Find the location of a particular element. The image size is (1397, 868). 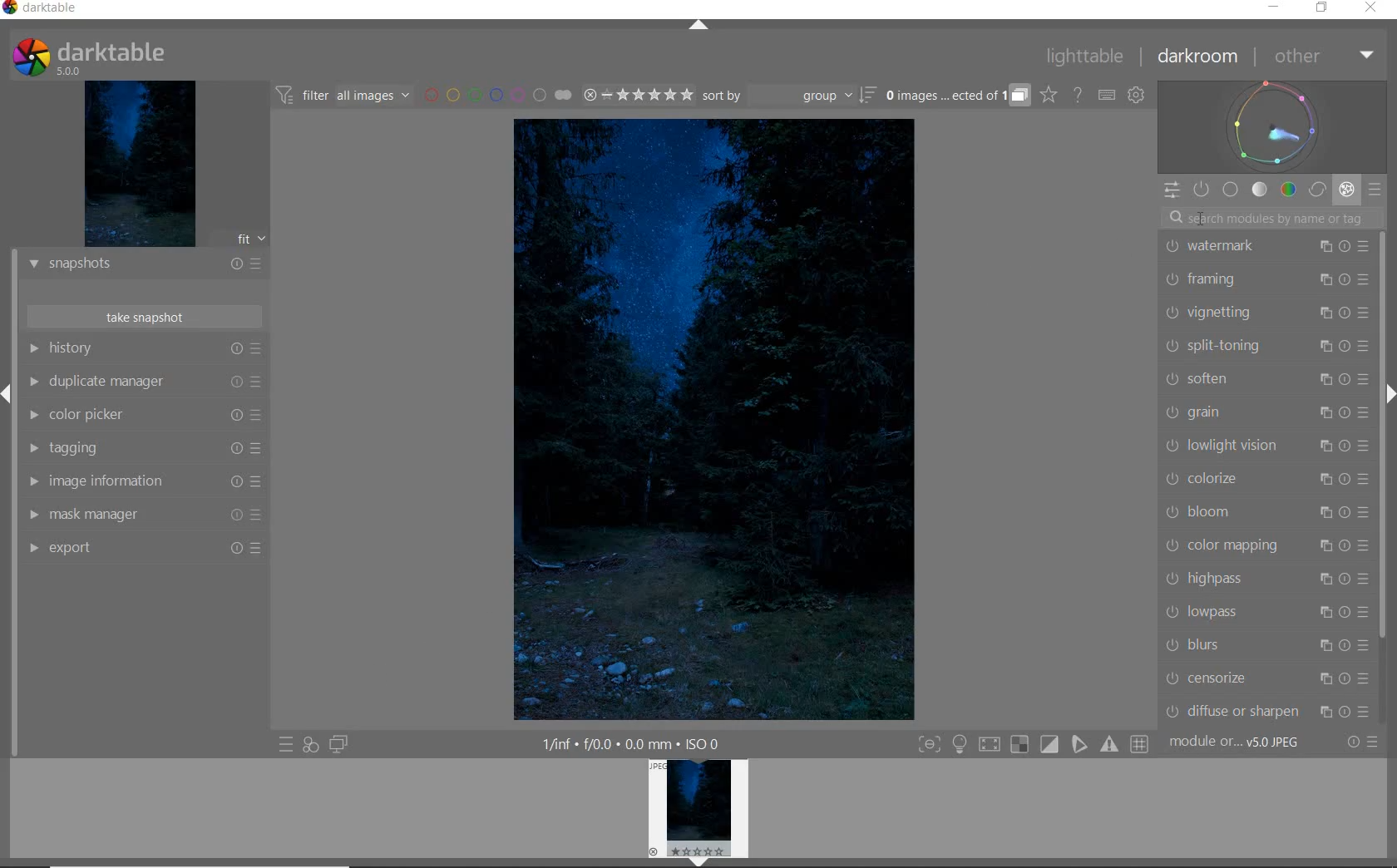

WATERMARK is located at coordinates (1266, 249).